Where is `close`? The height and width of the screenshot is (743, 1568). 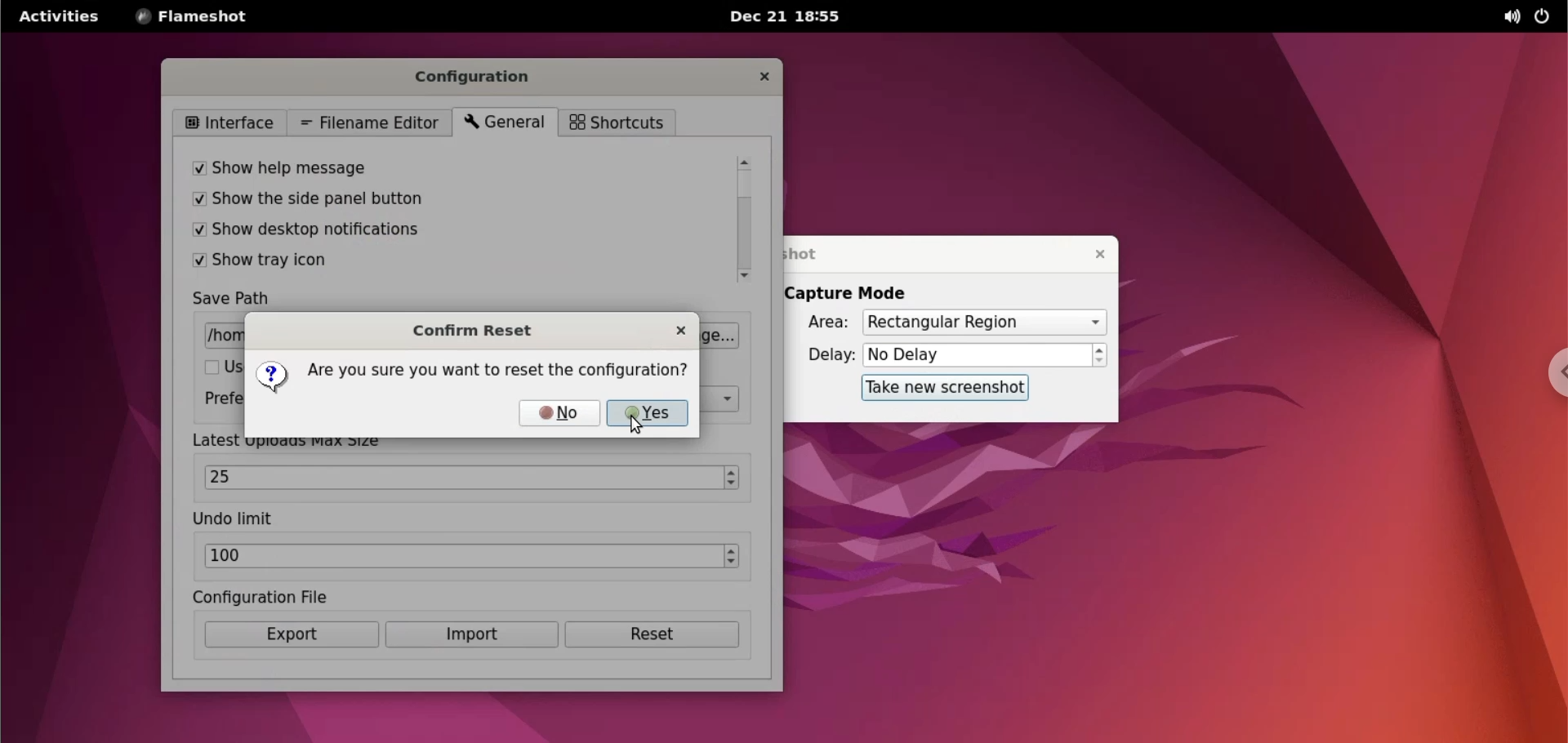 close is located at coordinates (763, 78).